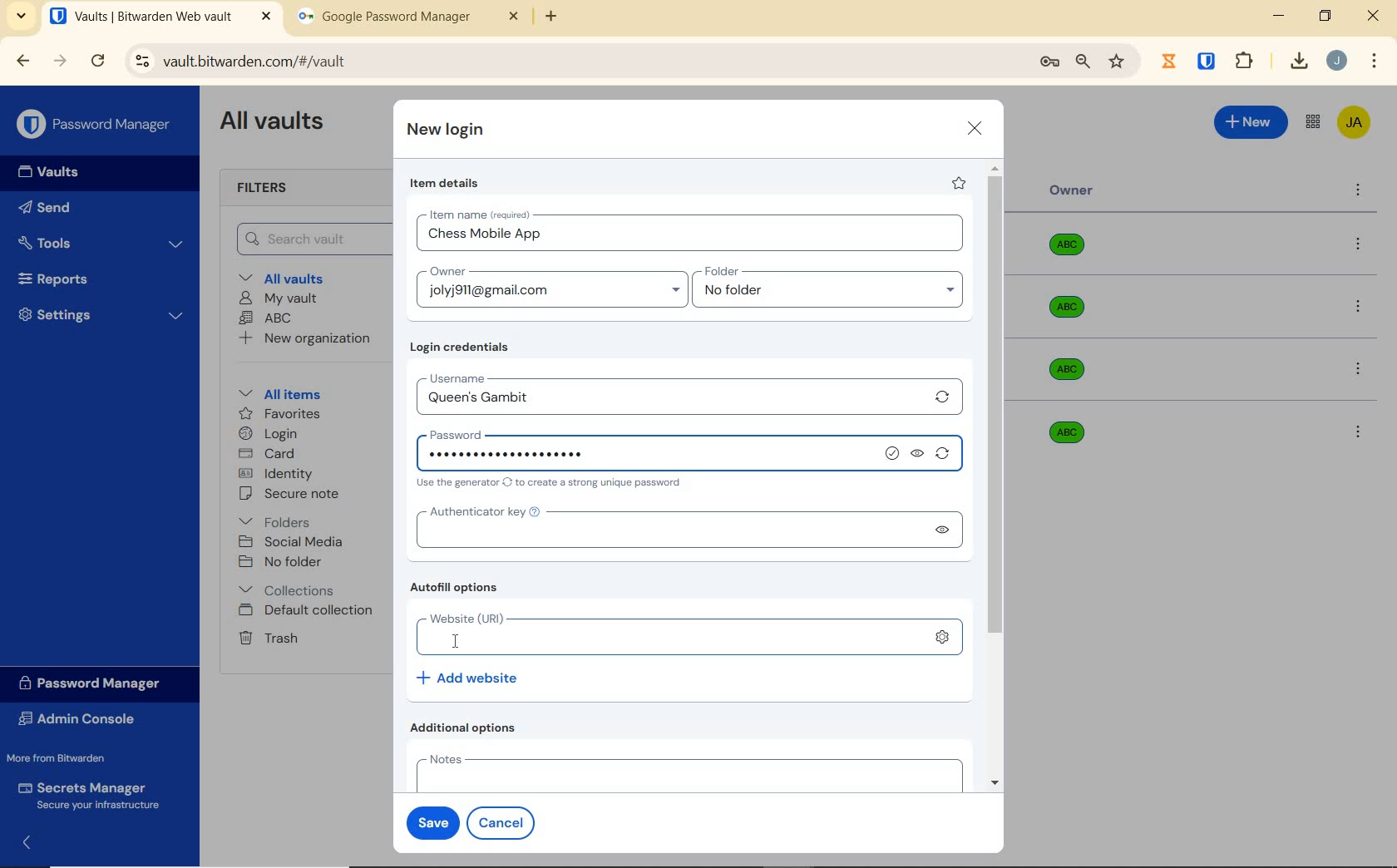  What do you see at coordinates (1073, 251) in the screenshot?
I see `Owner organization` at bounding box center [1073, 251].